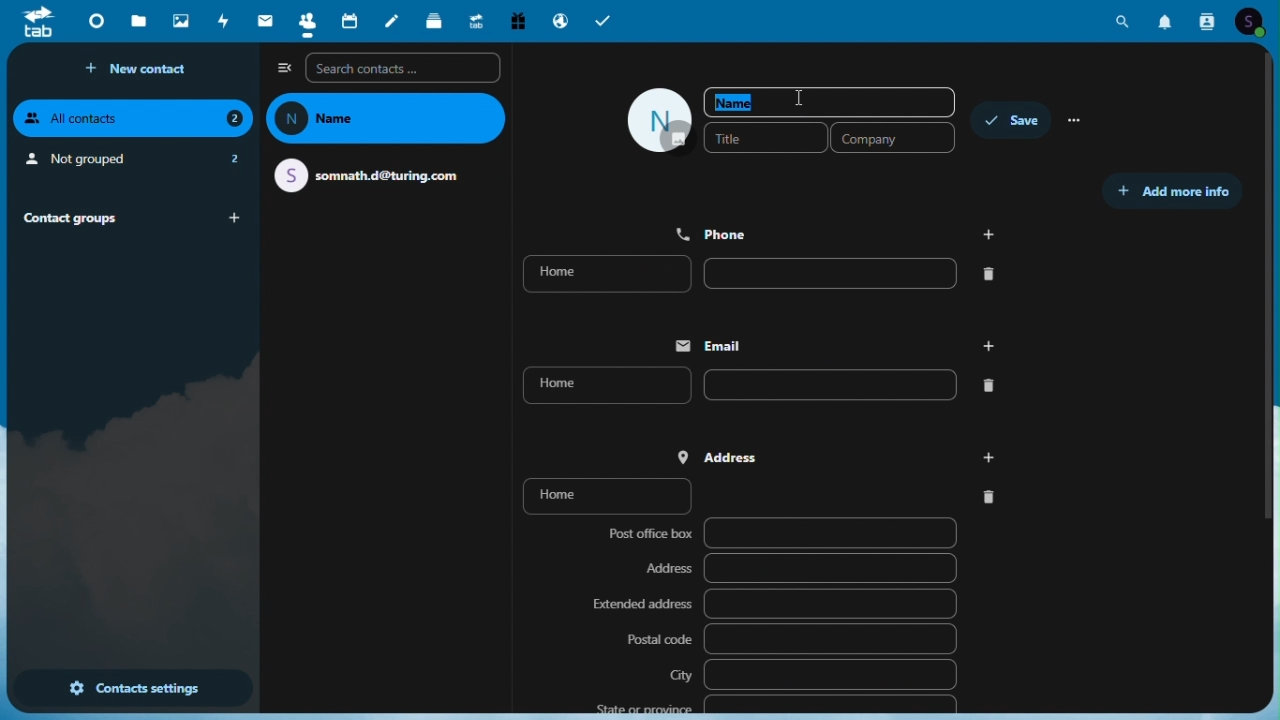  What do you see at coordinates (349, 22) in the screenshot?
I see `Calendar` at bounding box center [349, 22].